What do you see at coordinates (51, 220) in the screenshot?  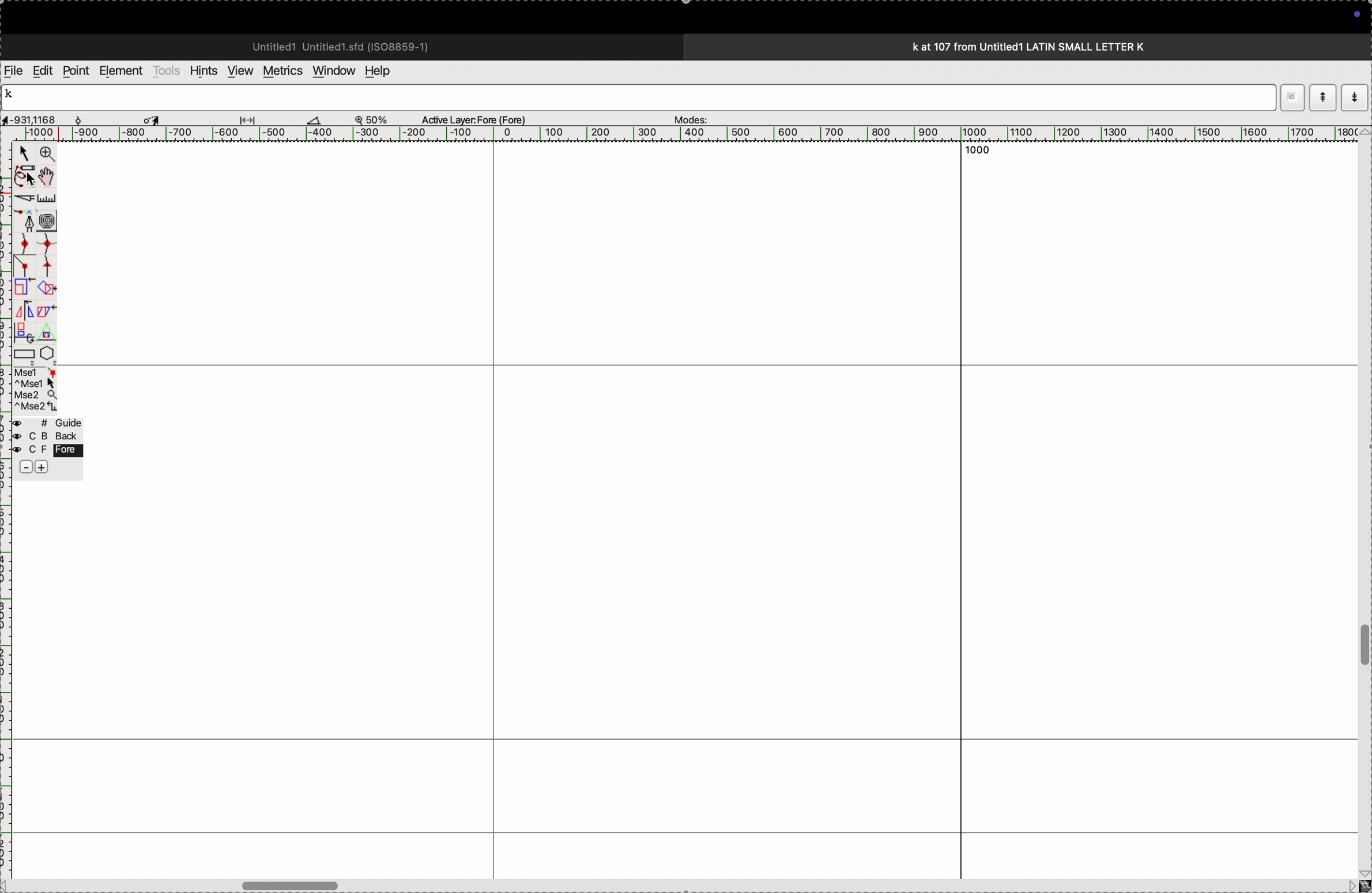 I see `circles` at bounding box center [51, 220].